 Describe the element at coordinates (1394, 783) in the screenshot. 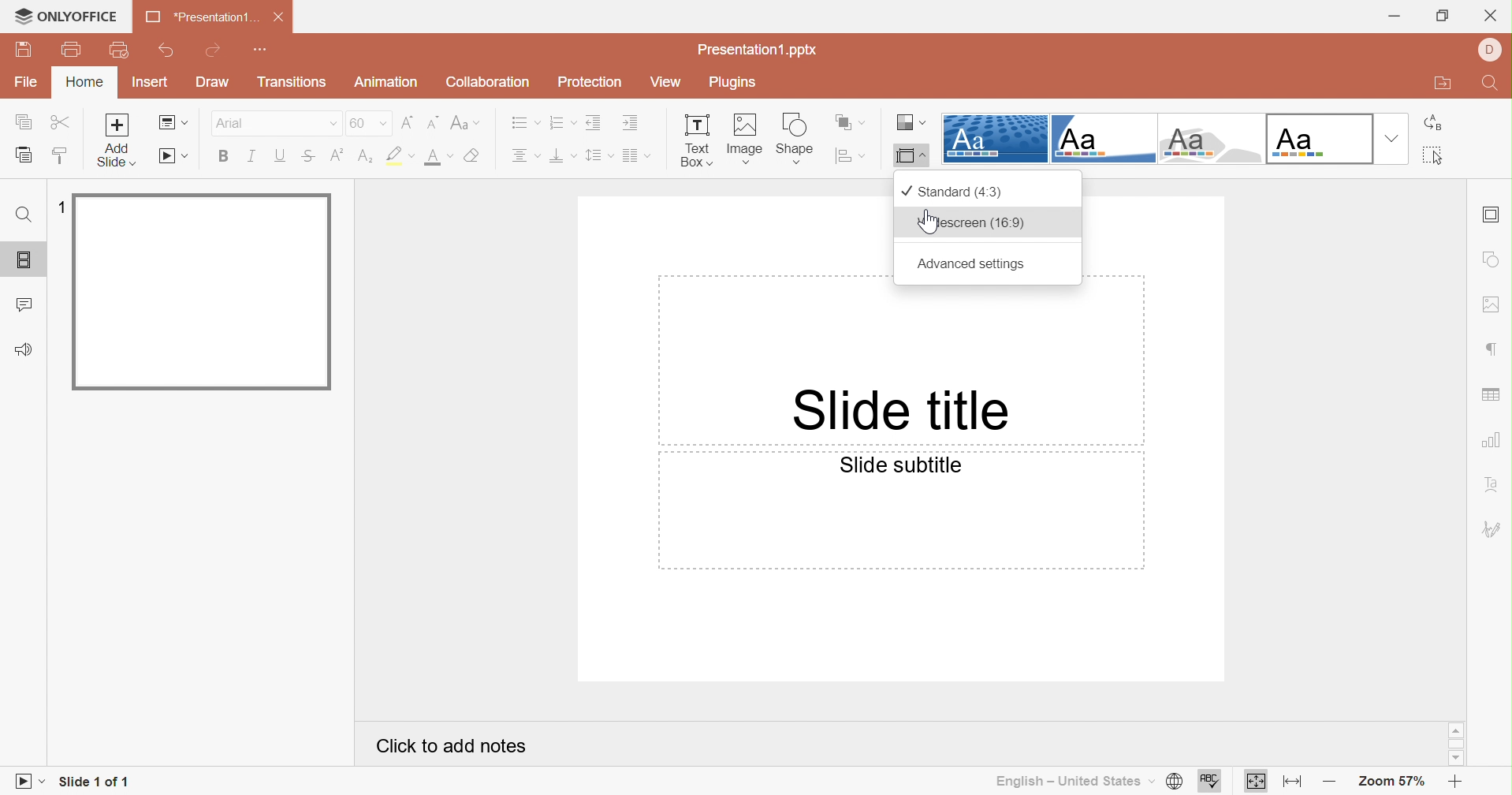

I see `Zoom 57%` at that location.